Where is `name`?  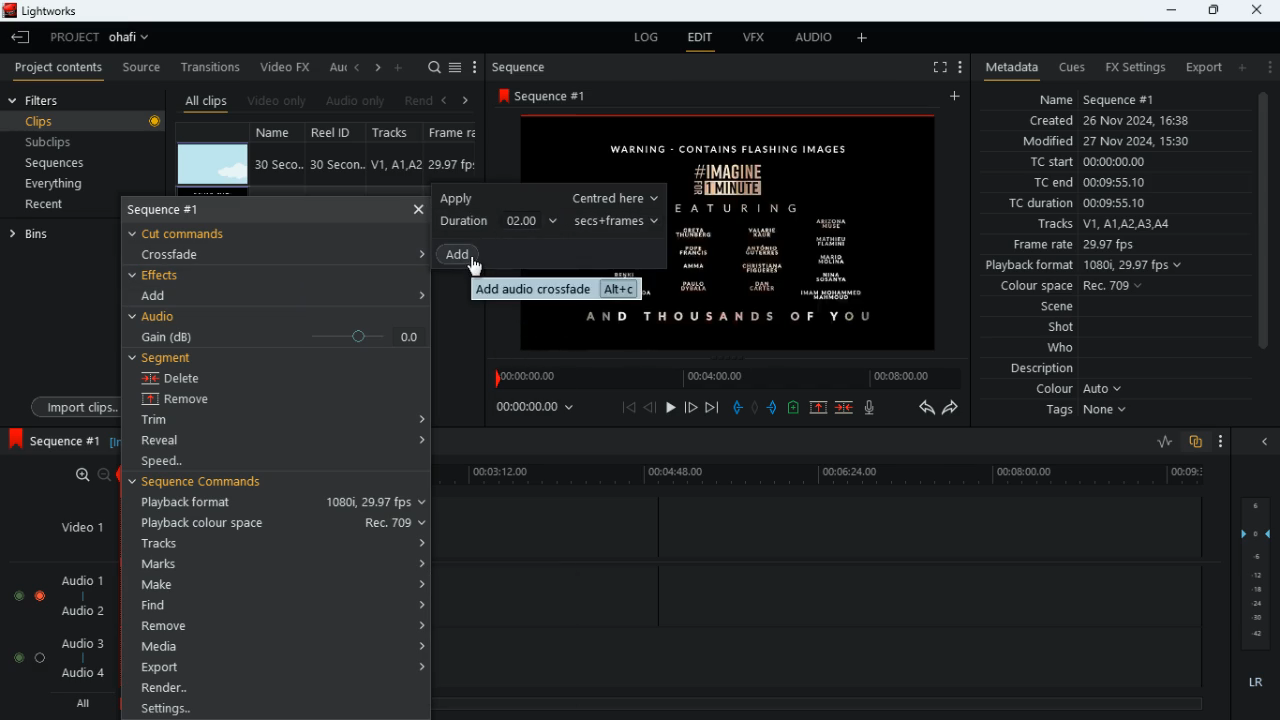 name is located at coordinates (280, 131).